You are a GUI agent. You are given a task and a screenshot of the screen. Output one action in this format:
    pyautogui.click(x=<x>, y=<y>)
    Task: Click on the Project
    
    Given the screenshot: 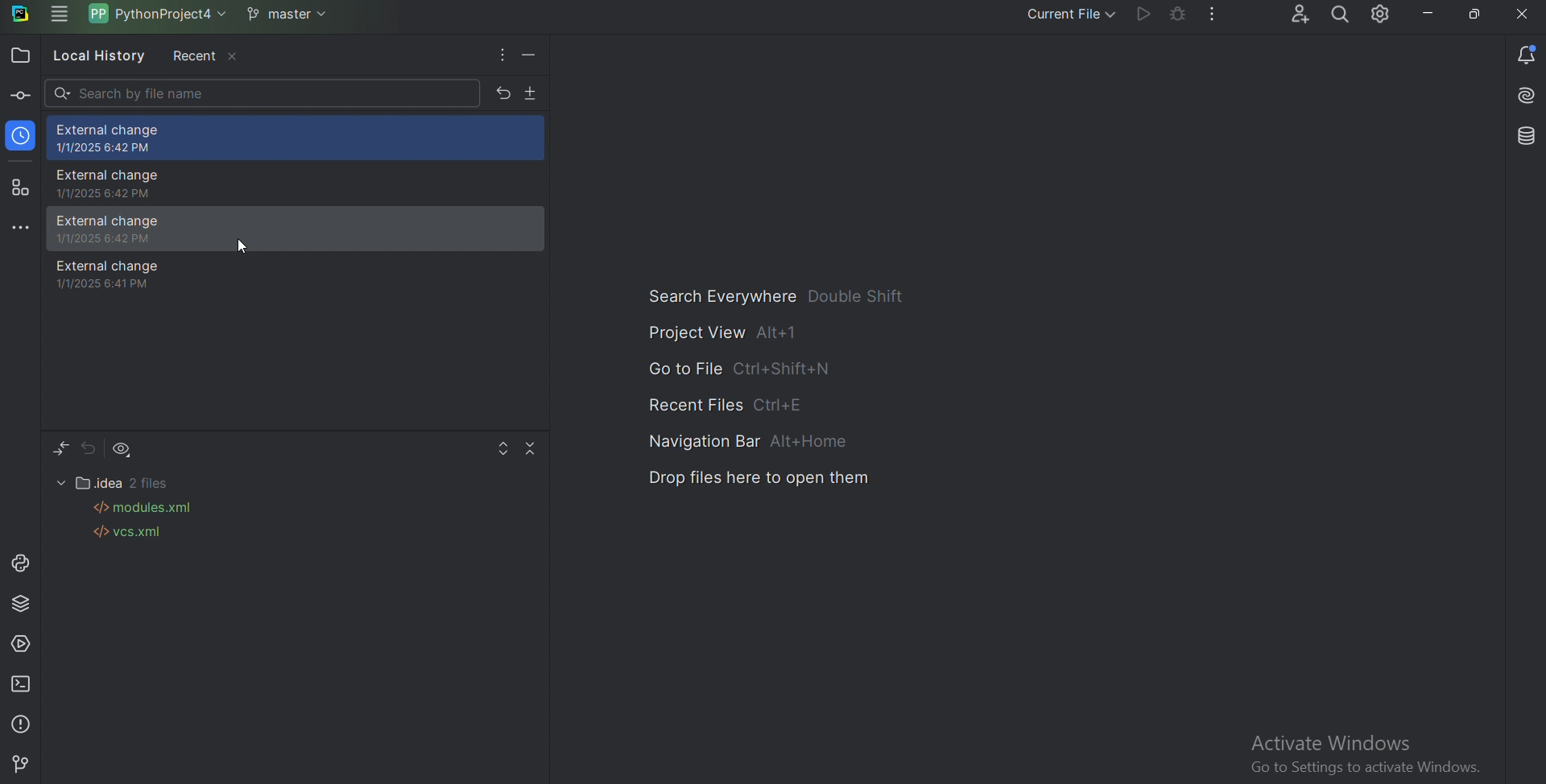 What is the action you would take?
    pyautogui.click(x=22, y=56)
    